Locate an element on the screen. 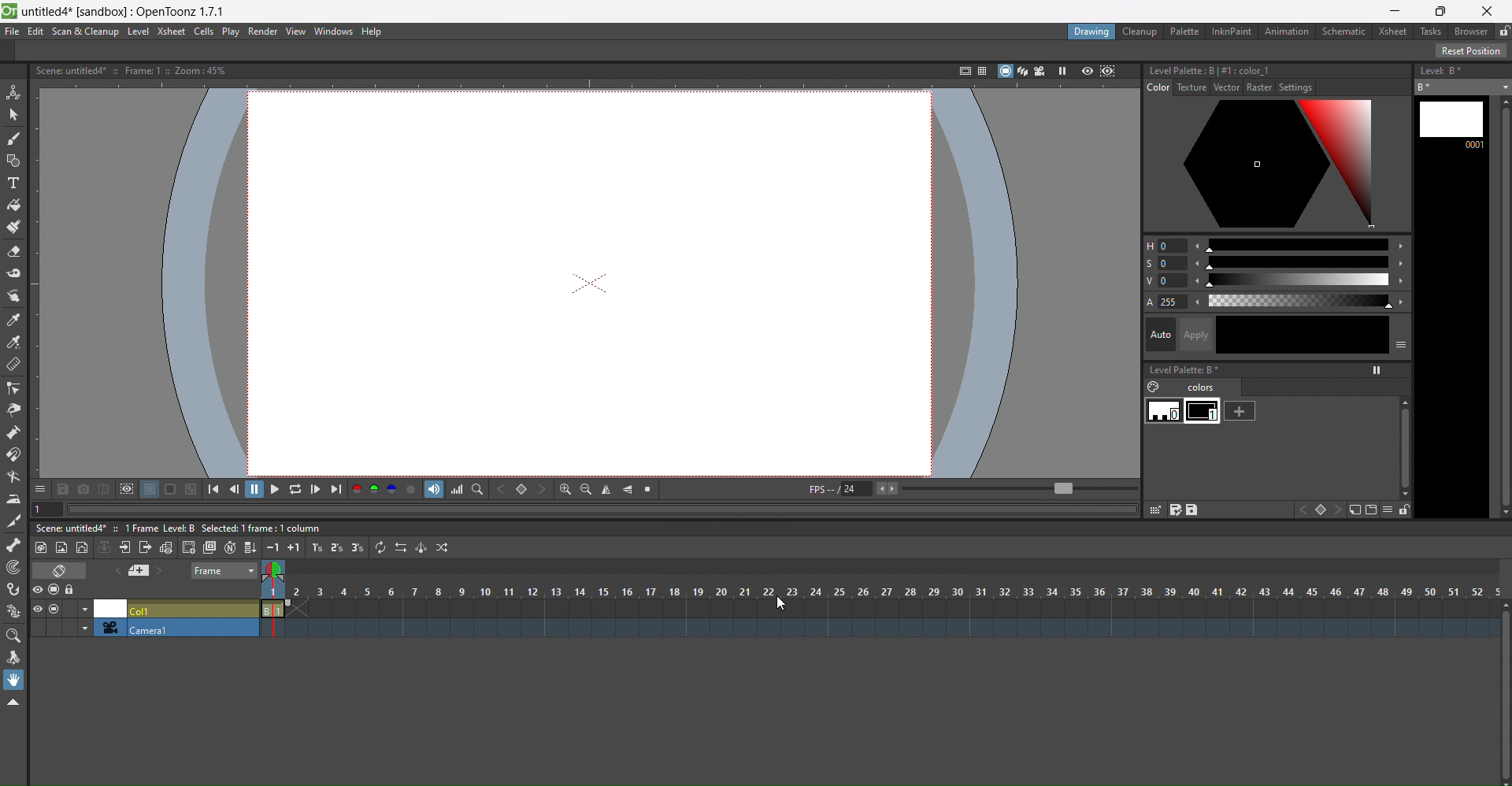 The width and height of the screenshot is (1512, 786). b is located at coordinates (1471, 31).